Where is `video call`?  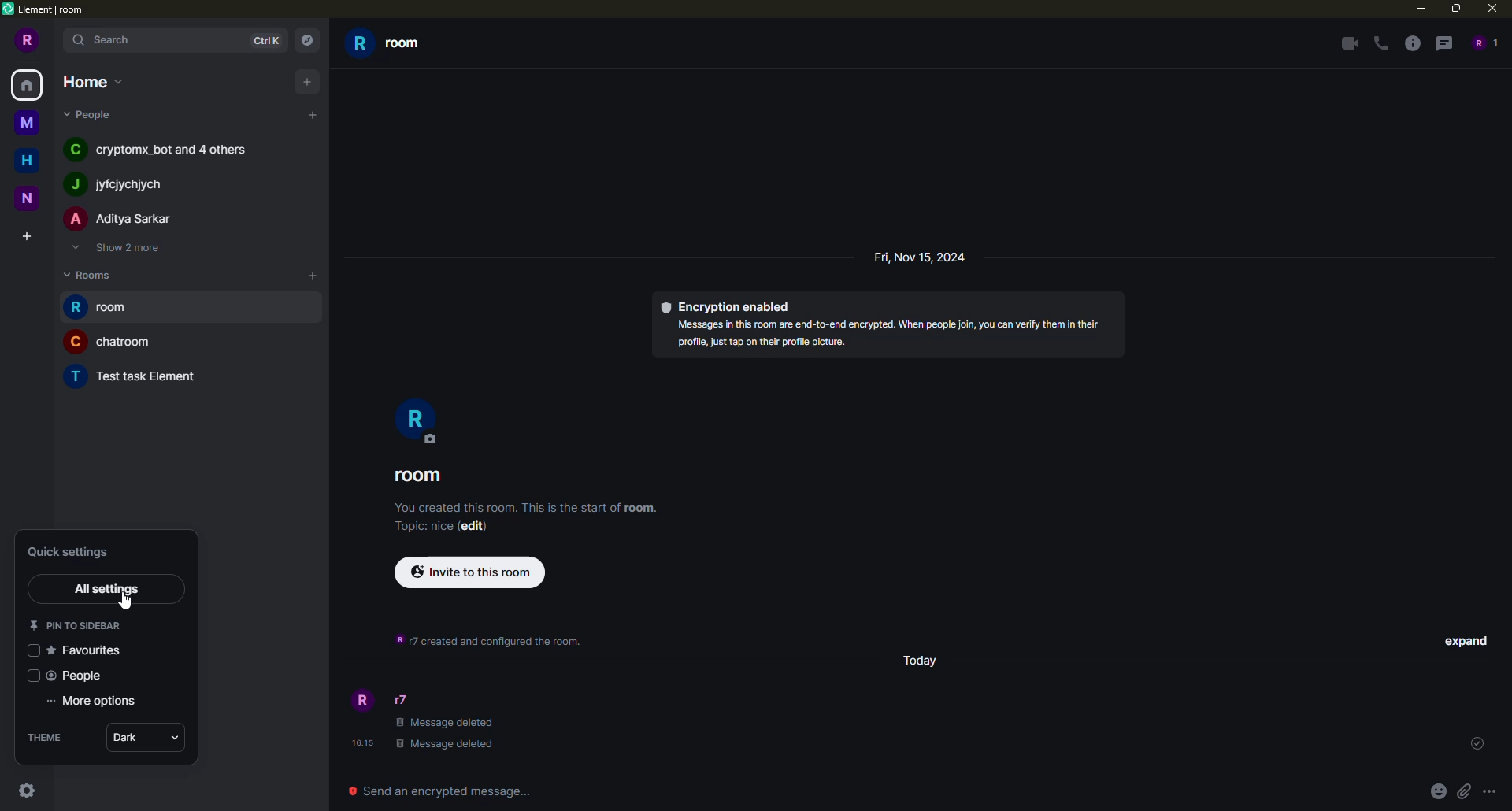
video call is located at coordinates (1347, 43).